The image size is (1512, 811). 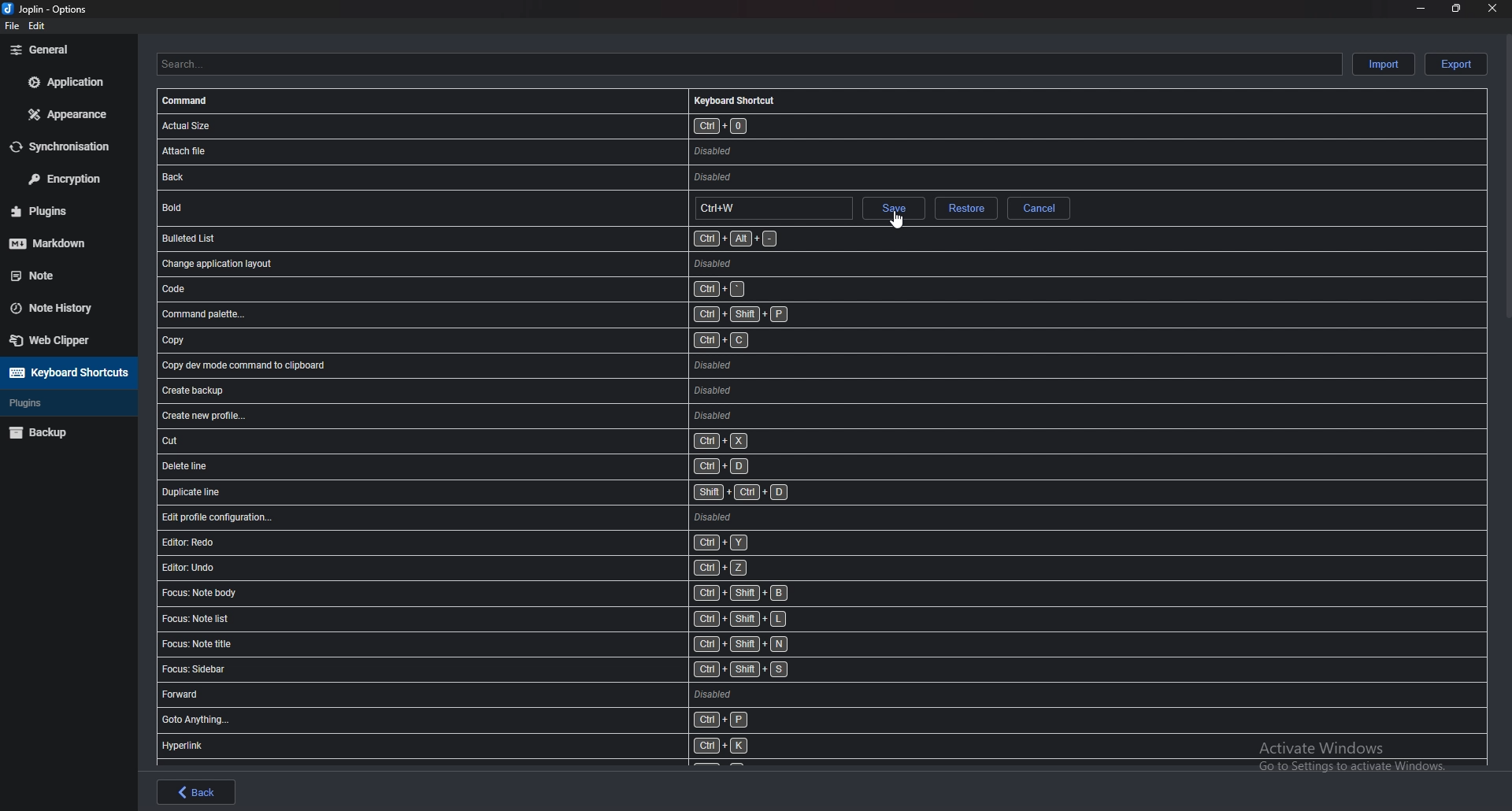 What do you see at coordinates (1421, 9) in the screenshot?
I see `minimize` at bounding box center [1421, 9].